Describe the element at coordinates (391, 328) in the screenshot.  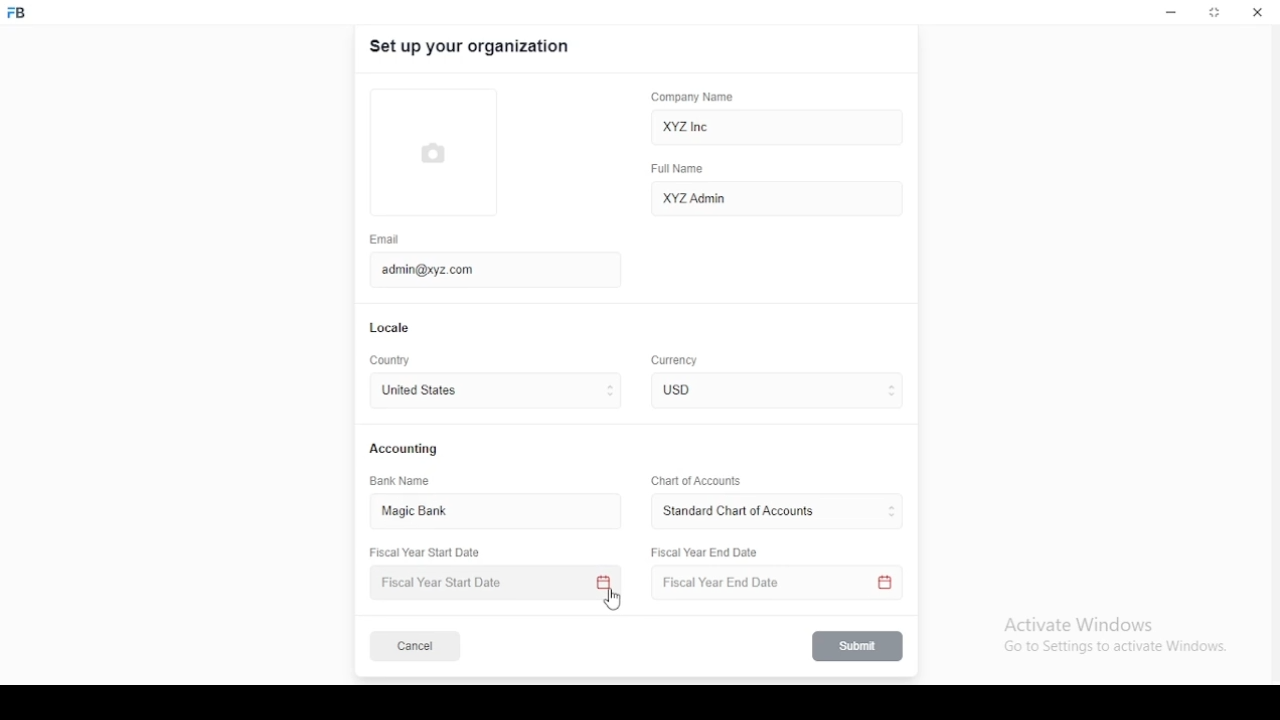
I see `locale` at that location.